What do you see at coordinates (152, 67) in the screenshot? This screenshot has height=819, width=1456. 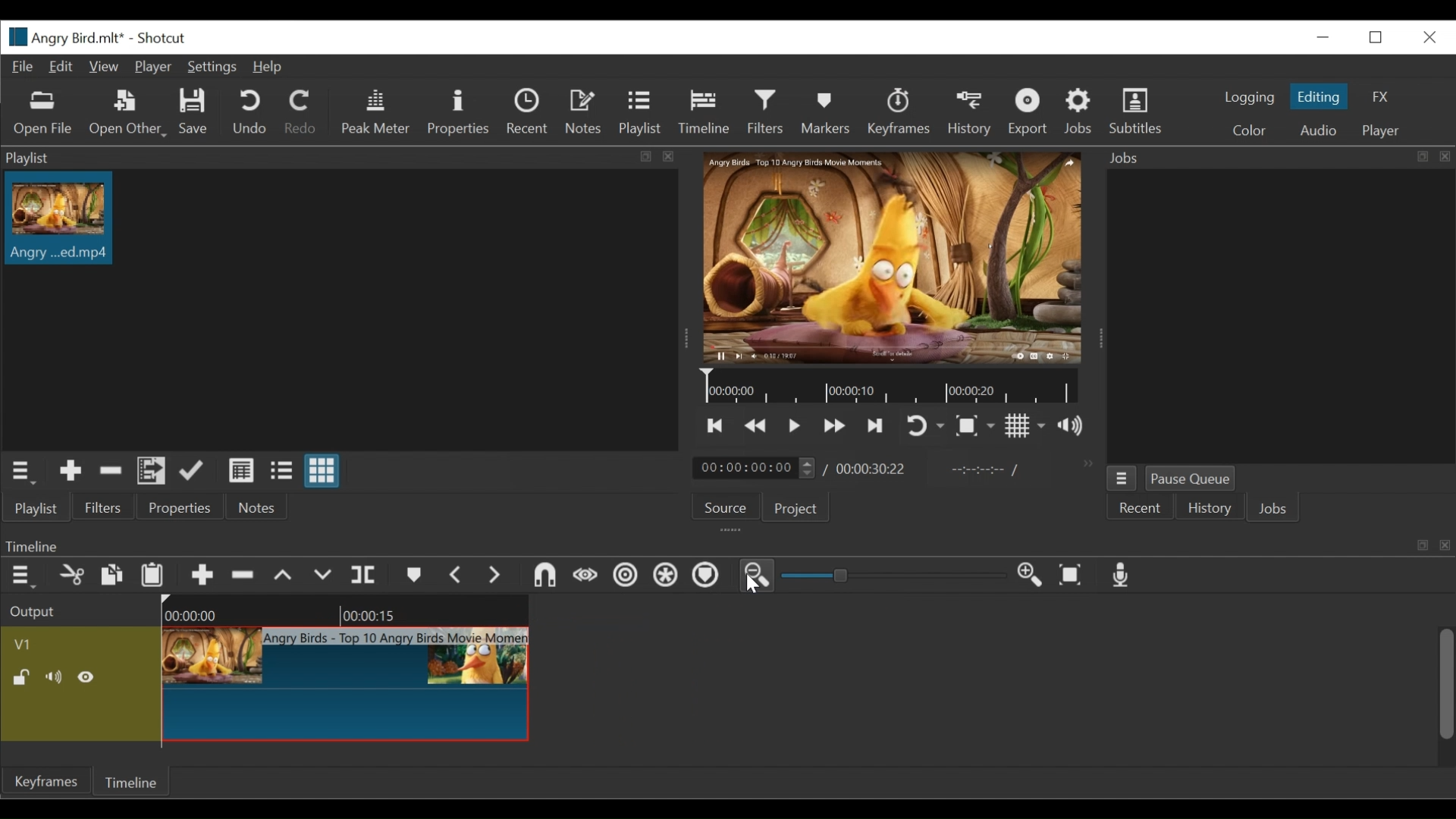 I see `Player` at bounding box center [152, 67].